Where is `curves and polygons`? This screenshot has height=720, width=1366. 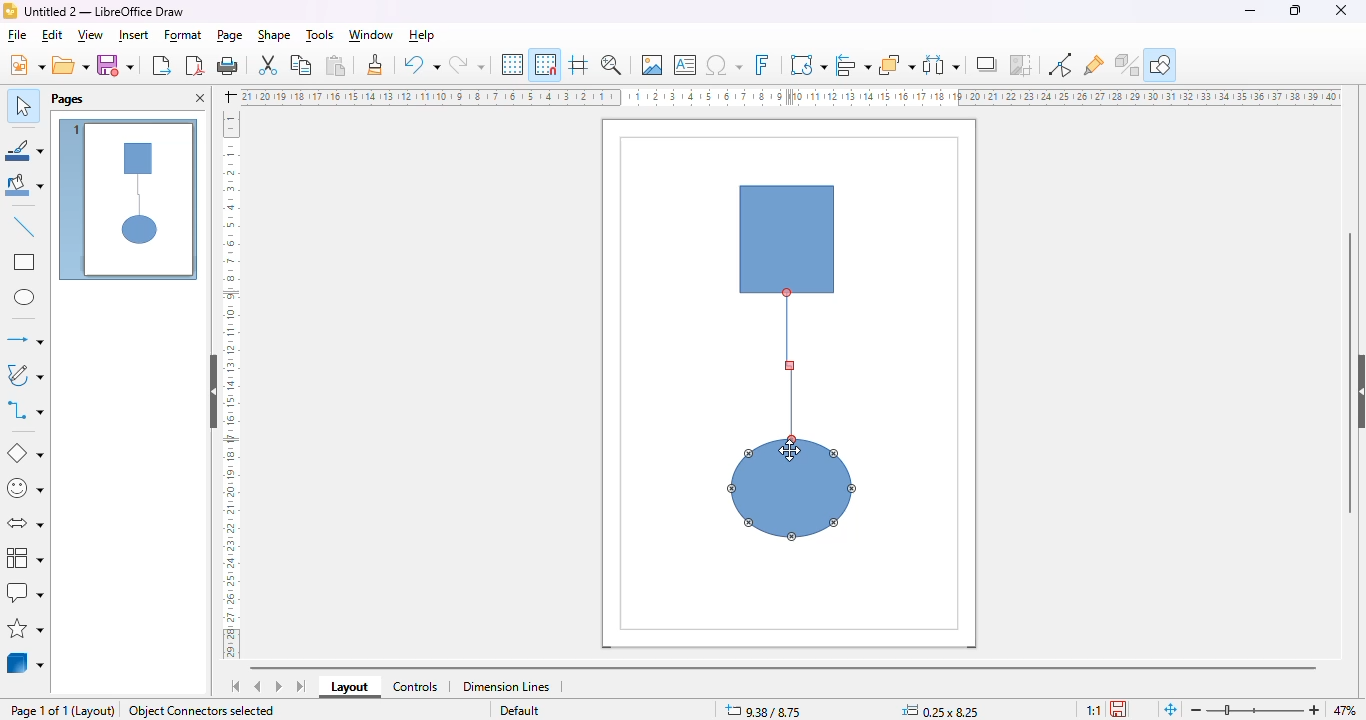 curves and polygons is located at coordinates (26, 376).